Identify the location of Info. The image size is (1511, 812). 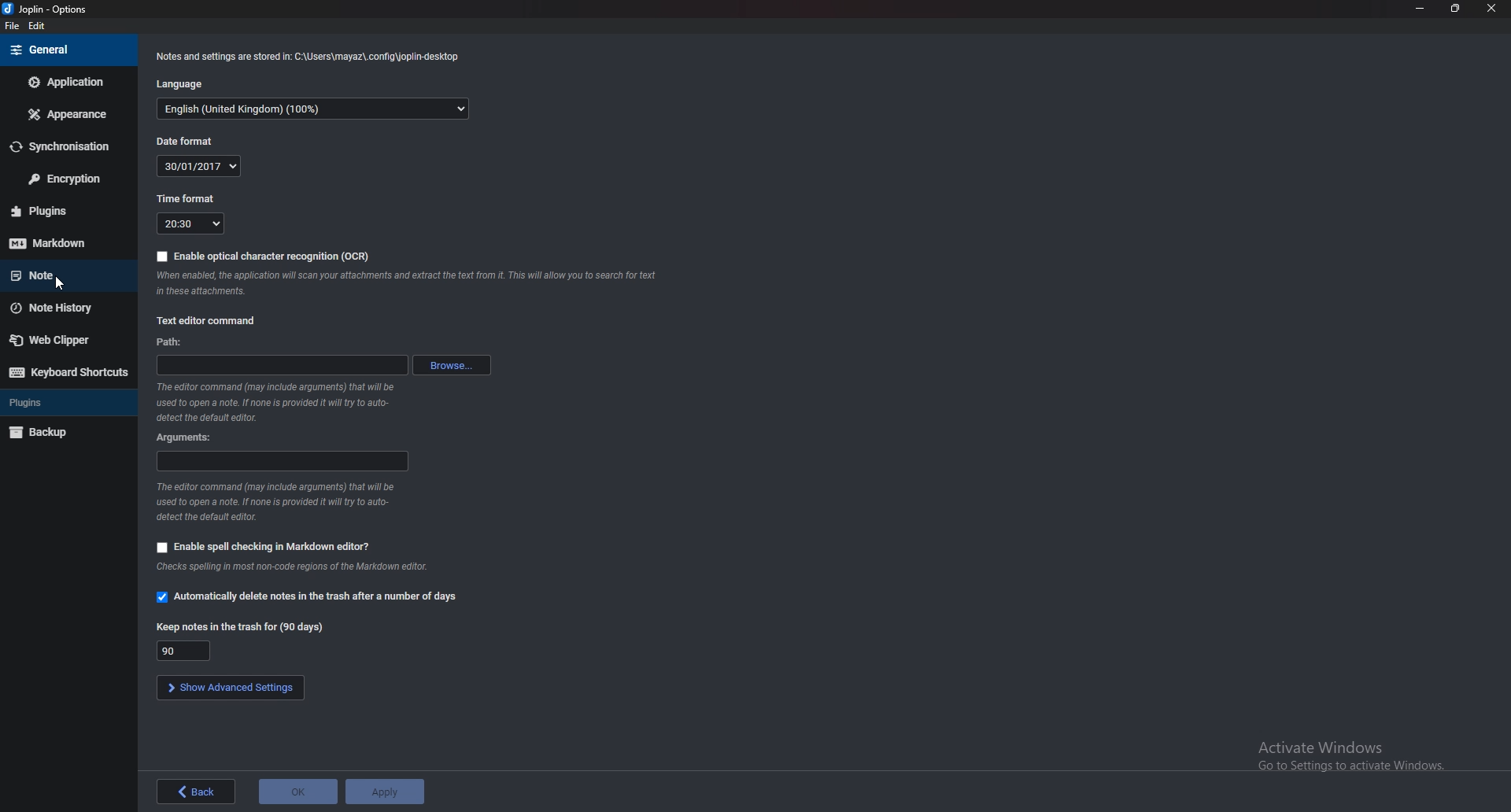
(277, 400).